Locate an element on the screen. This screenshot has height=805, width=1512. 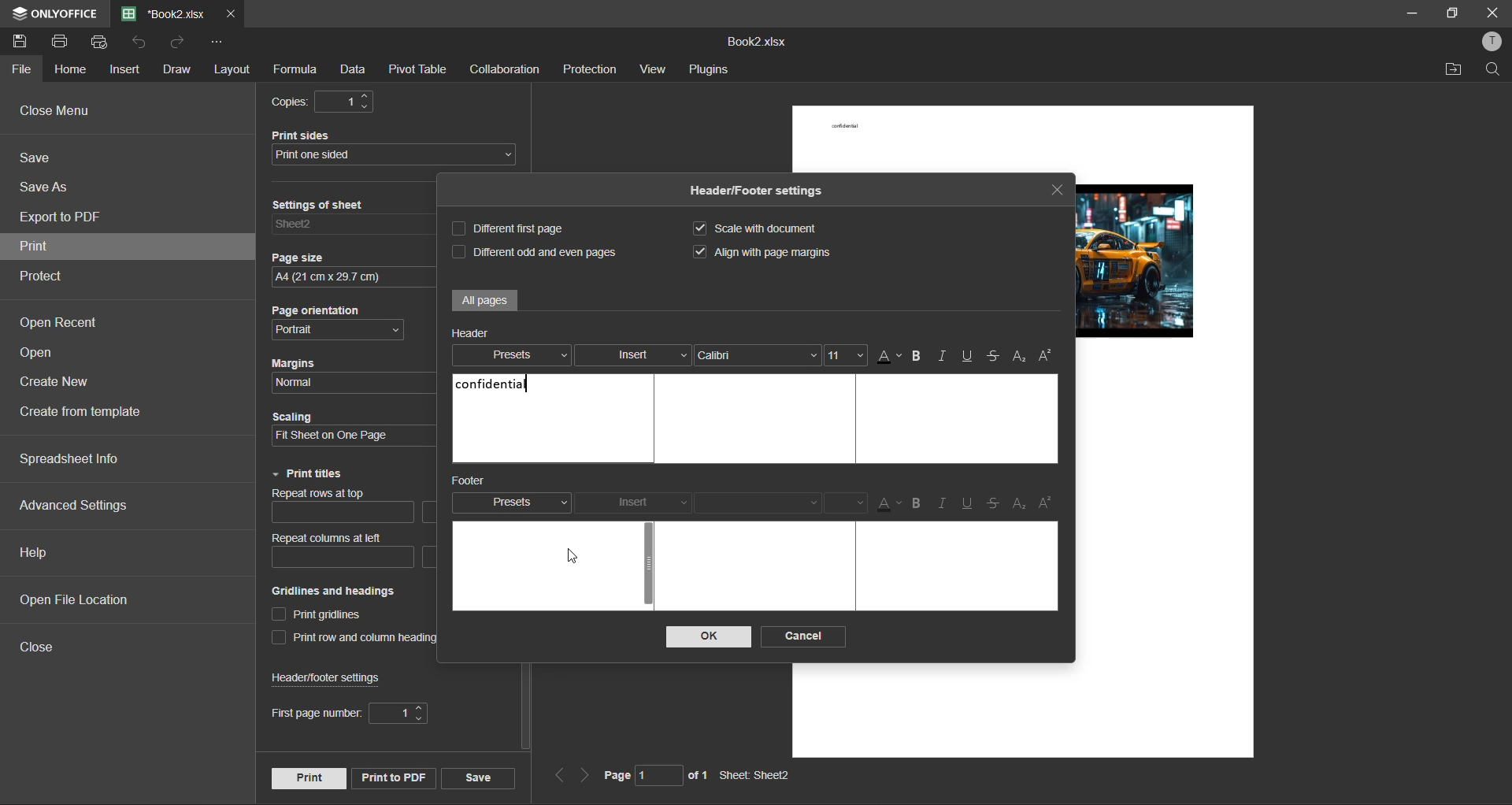
plugins is located at coordinates (712, 70).